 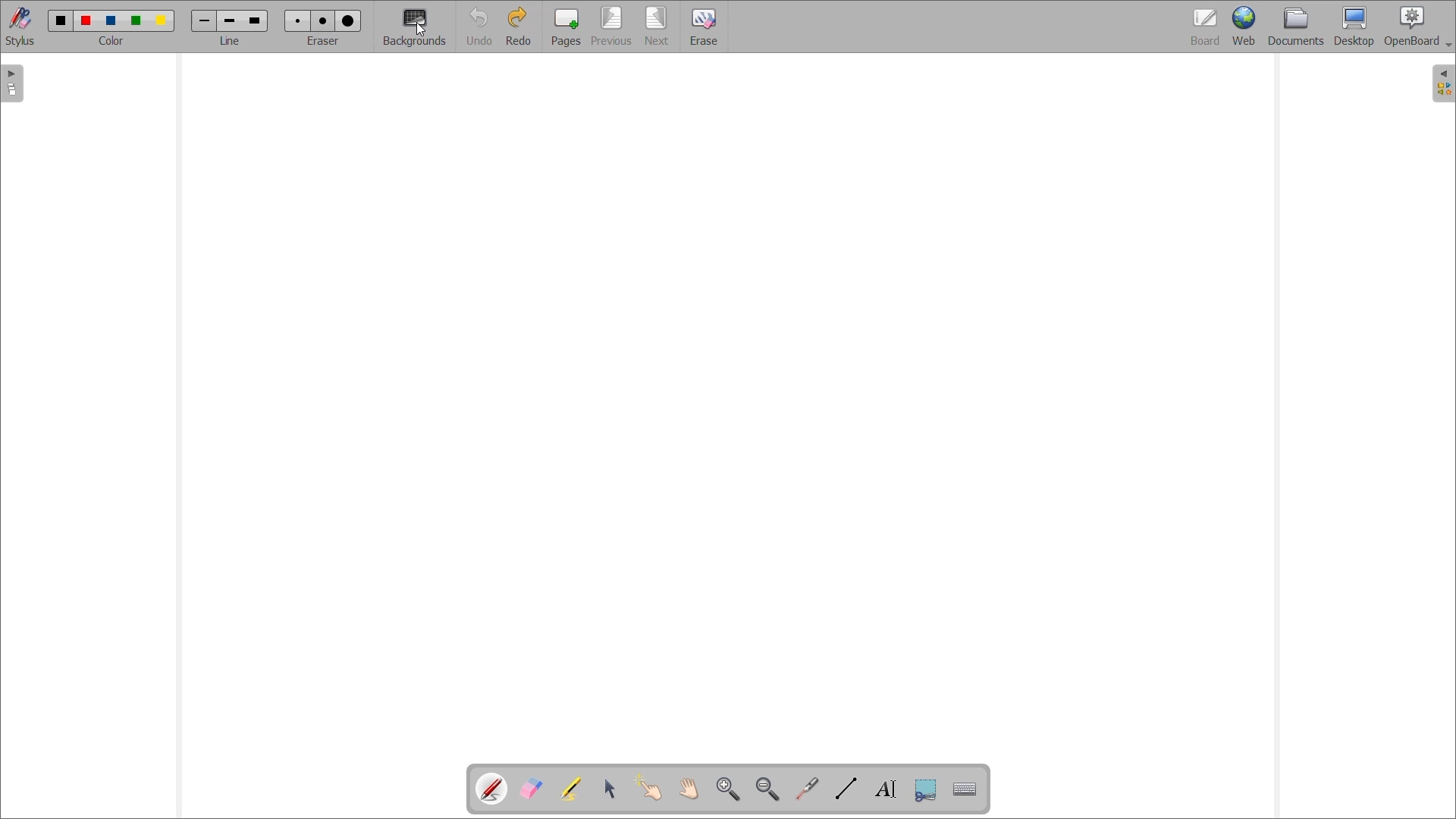 I want to click on Show/Hide the stylus menu at the bottom, so click(x=20, y=27).